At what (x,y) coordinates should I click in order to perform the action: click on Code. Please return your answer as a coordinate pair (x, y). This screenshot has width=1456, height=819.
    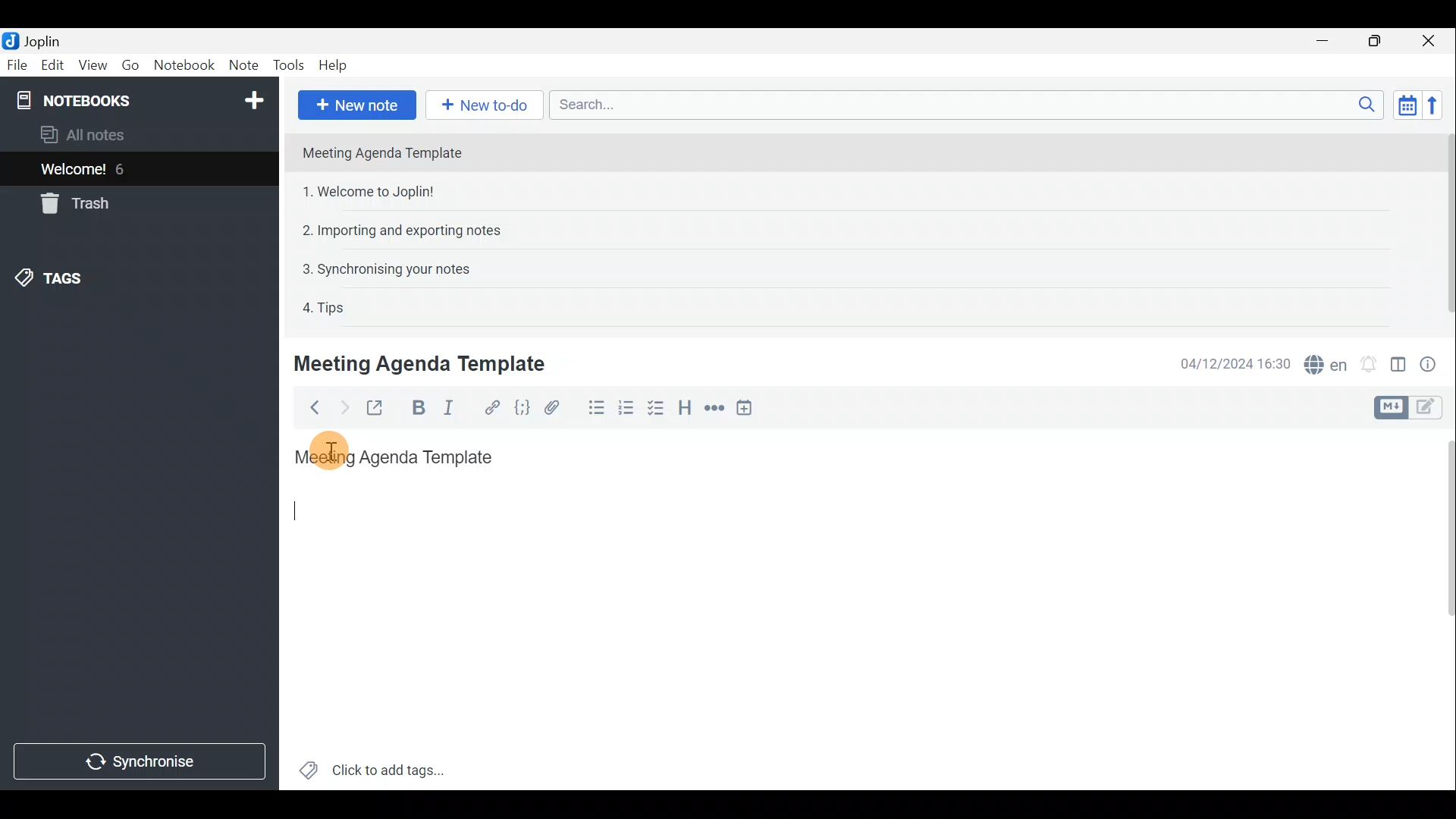
    Looking at the image, I should click on (524, 410).